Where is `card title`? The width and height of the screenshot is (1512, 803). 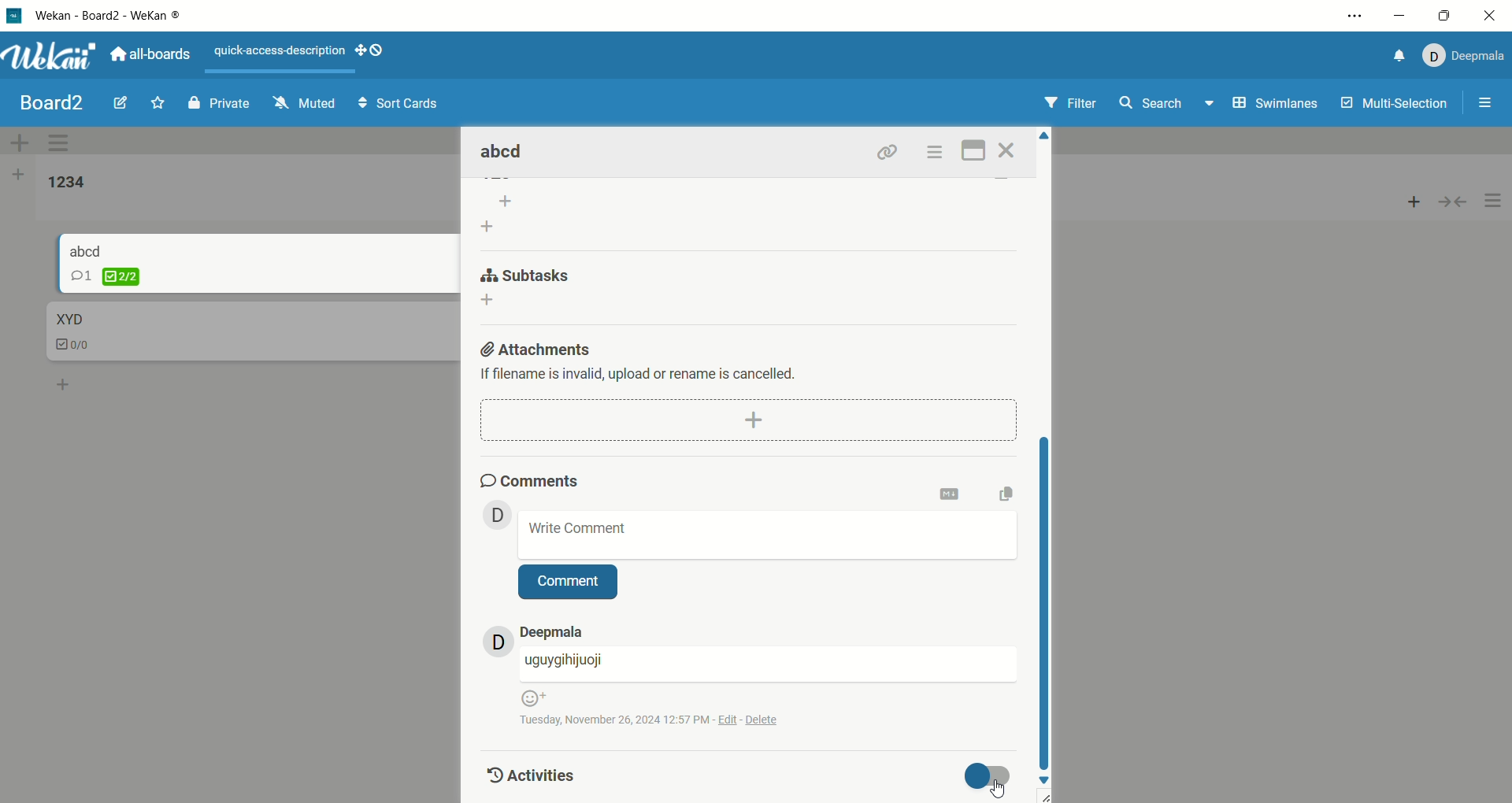
card title is located at coordinates (504, 153).